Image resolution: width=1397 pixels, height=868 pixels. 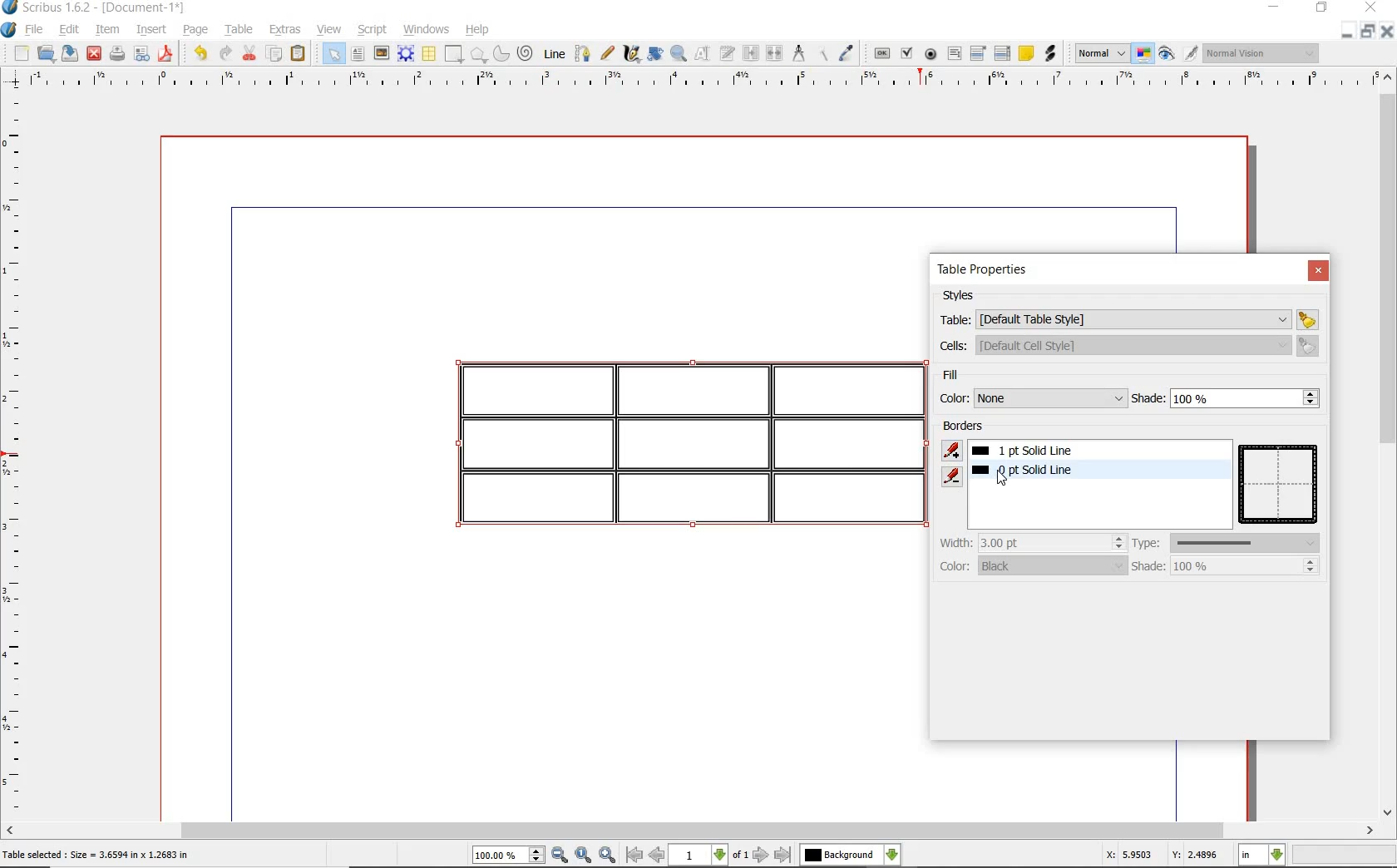 What do you see at coordinates (978, 54) in the screenshot?
I see `pdf combo box` at bounding box center [978, 54].